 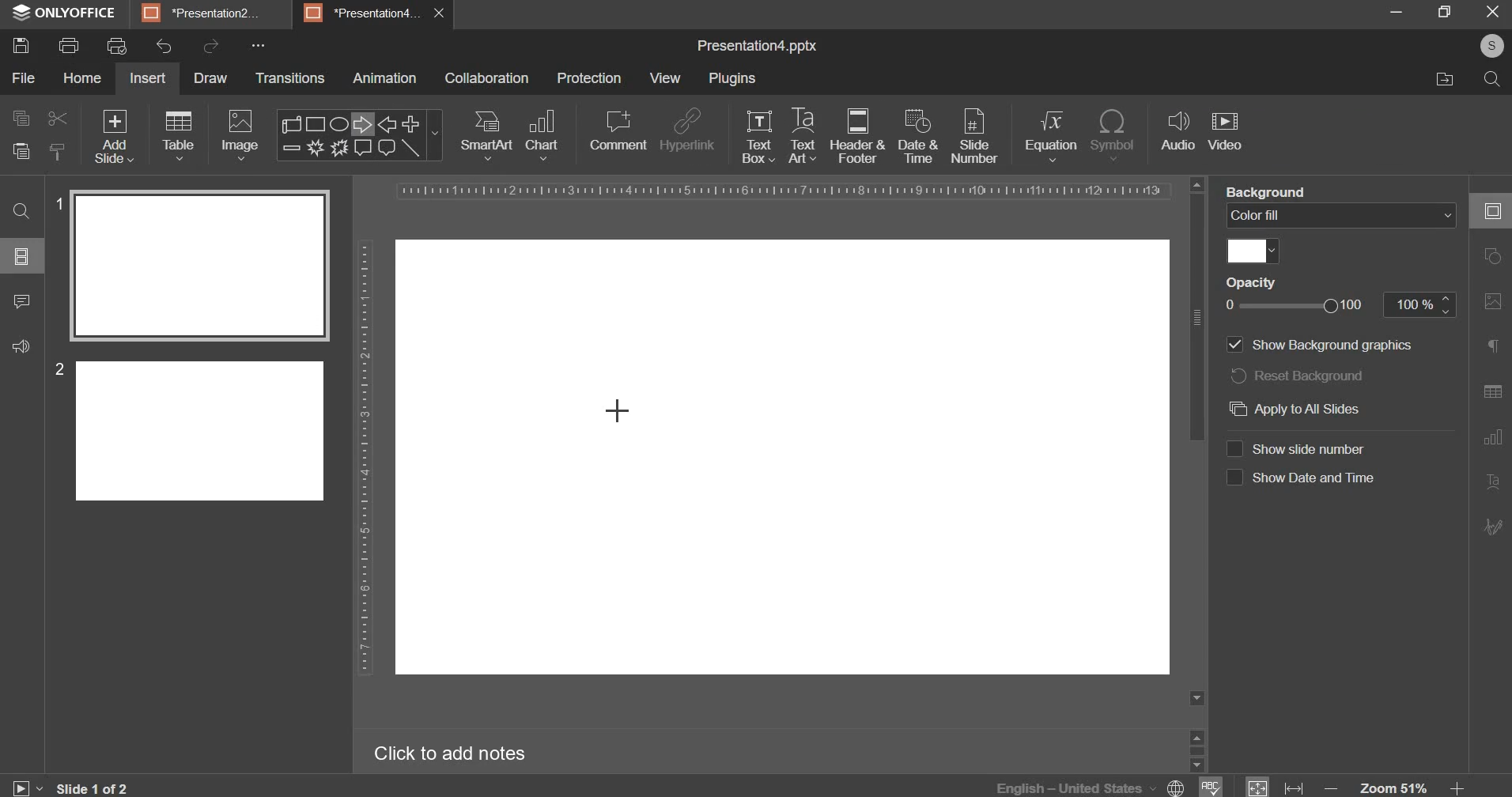 I want to click on sound, so click(x=21, y=349).